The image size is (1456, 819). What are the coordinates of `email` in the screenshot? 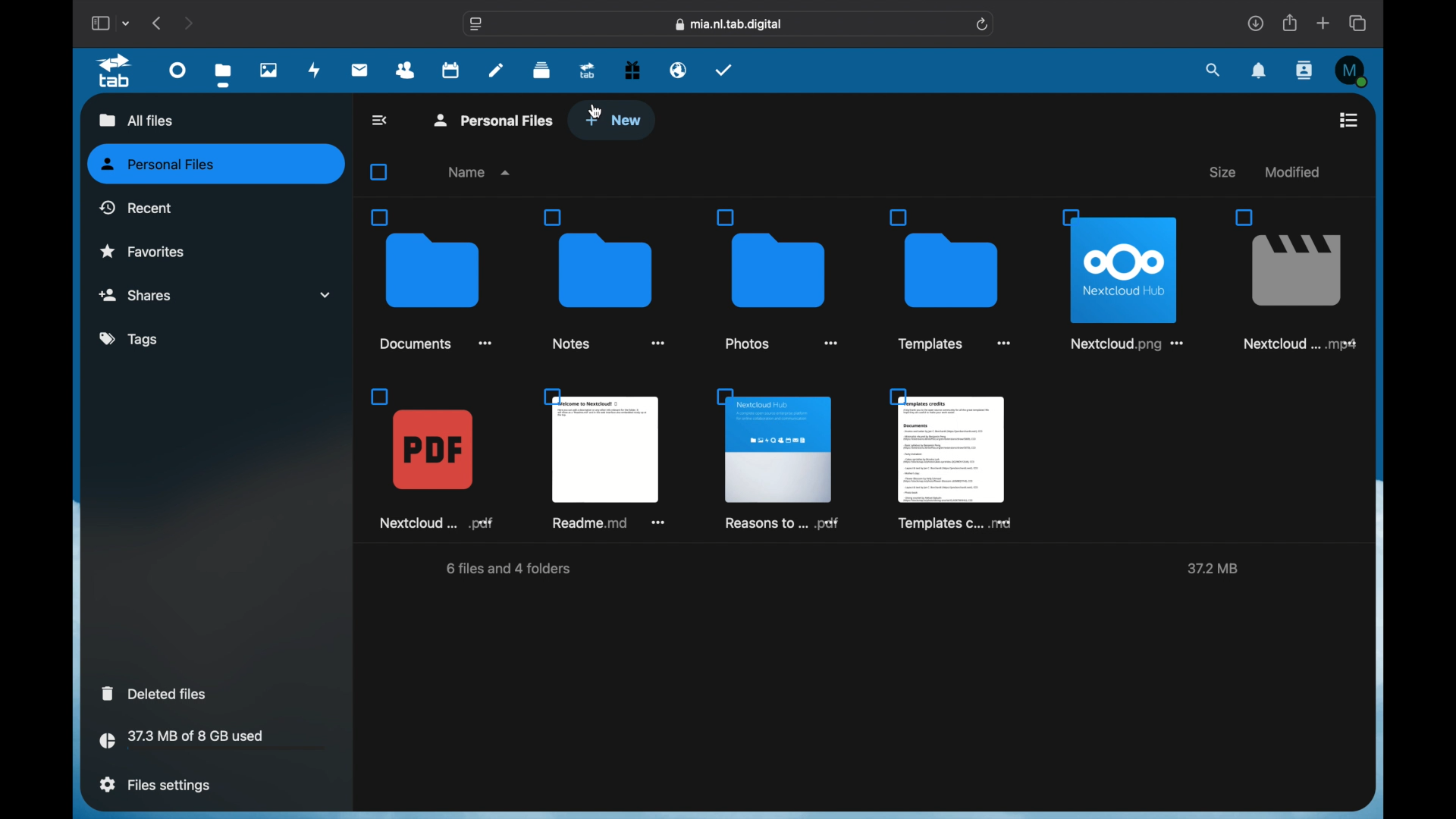 It's located at (679, 71).